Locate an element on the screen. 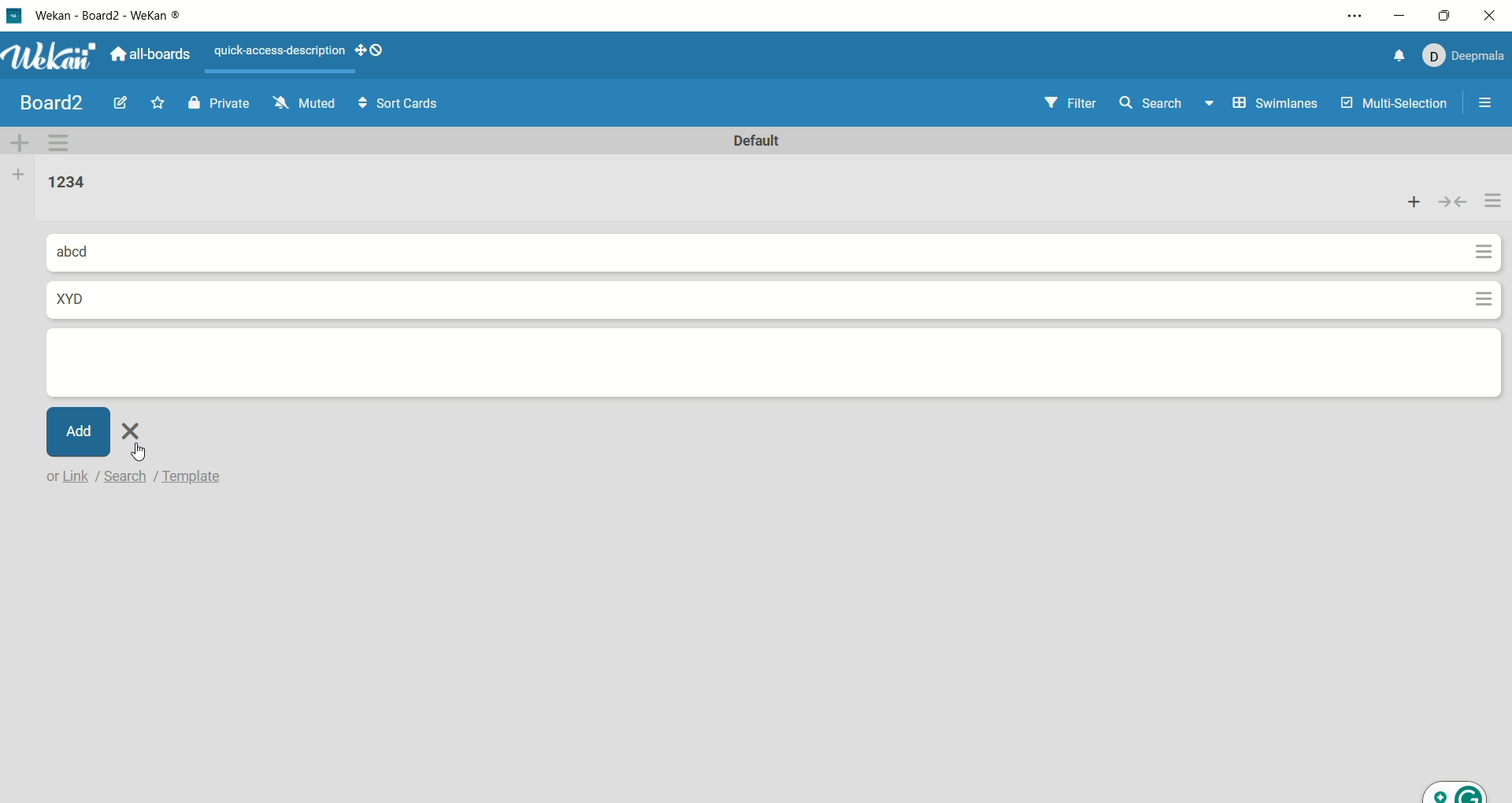  wekan-wekan is located at coordinates (115, 17).